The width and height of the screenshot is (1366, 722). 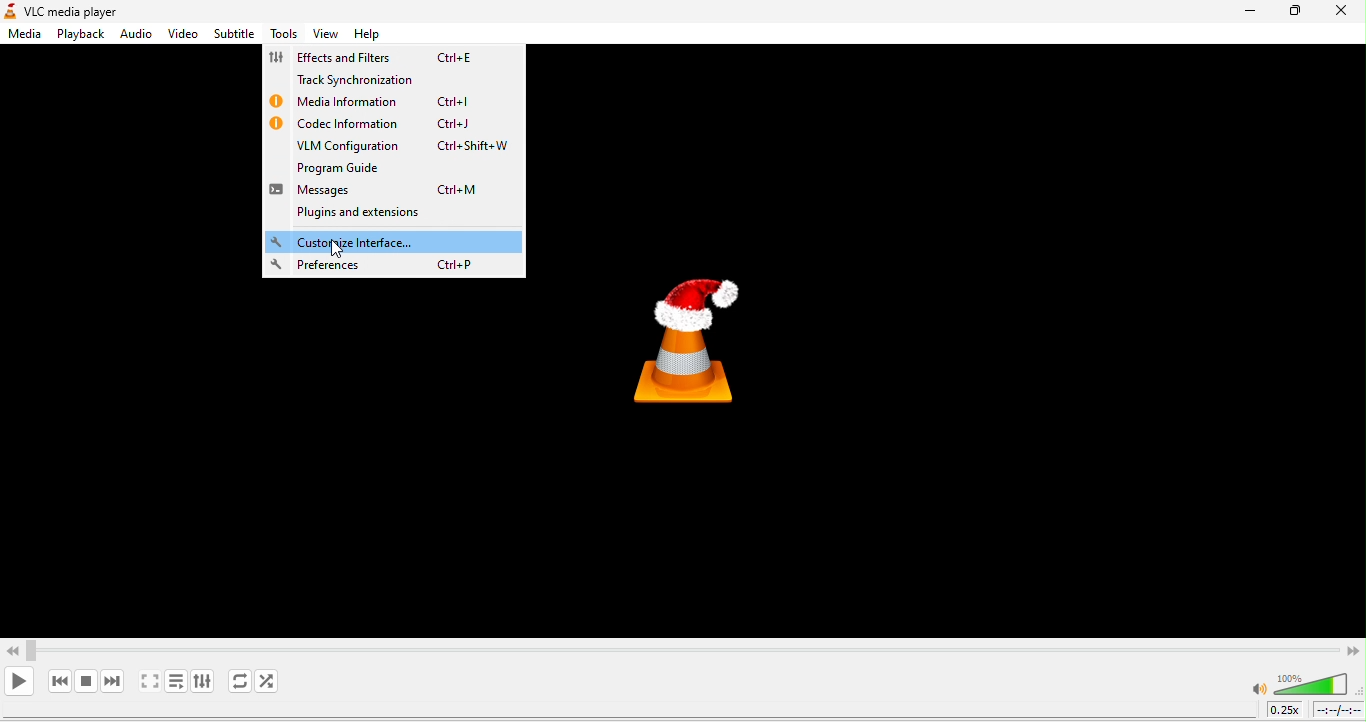 I want to click on toggle video in  full screen, so click(x=147, y=683).